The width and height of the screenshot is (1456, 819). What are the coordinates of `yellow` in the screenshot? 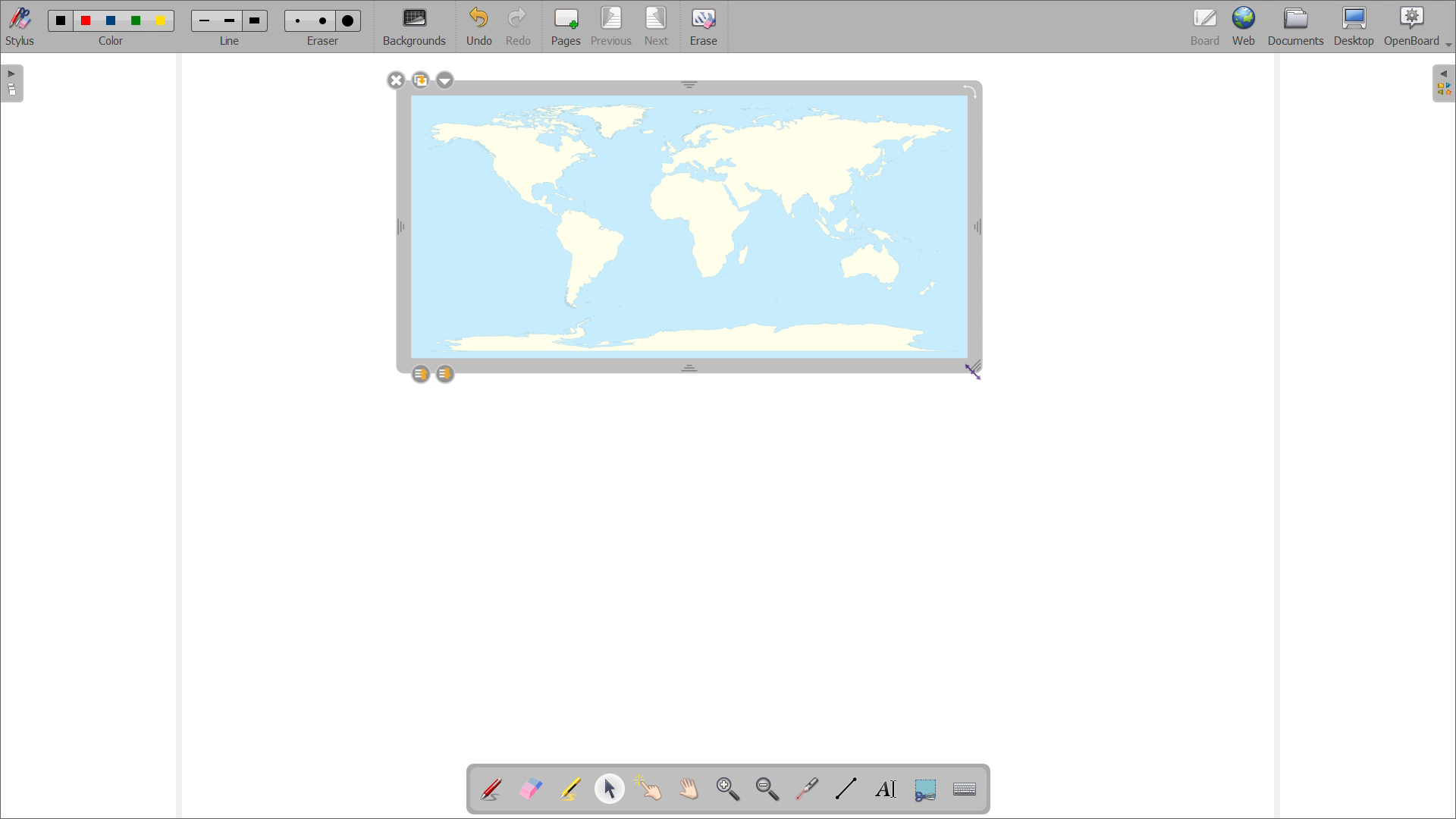 It's located at (162, 21).